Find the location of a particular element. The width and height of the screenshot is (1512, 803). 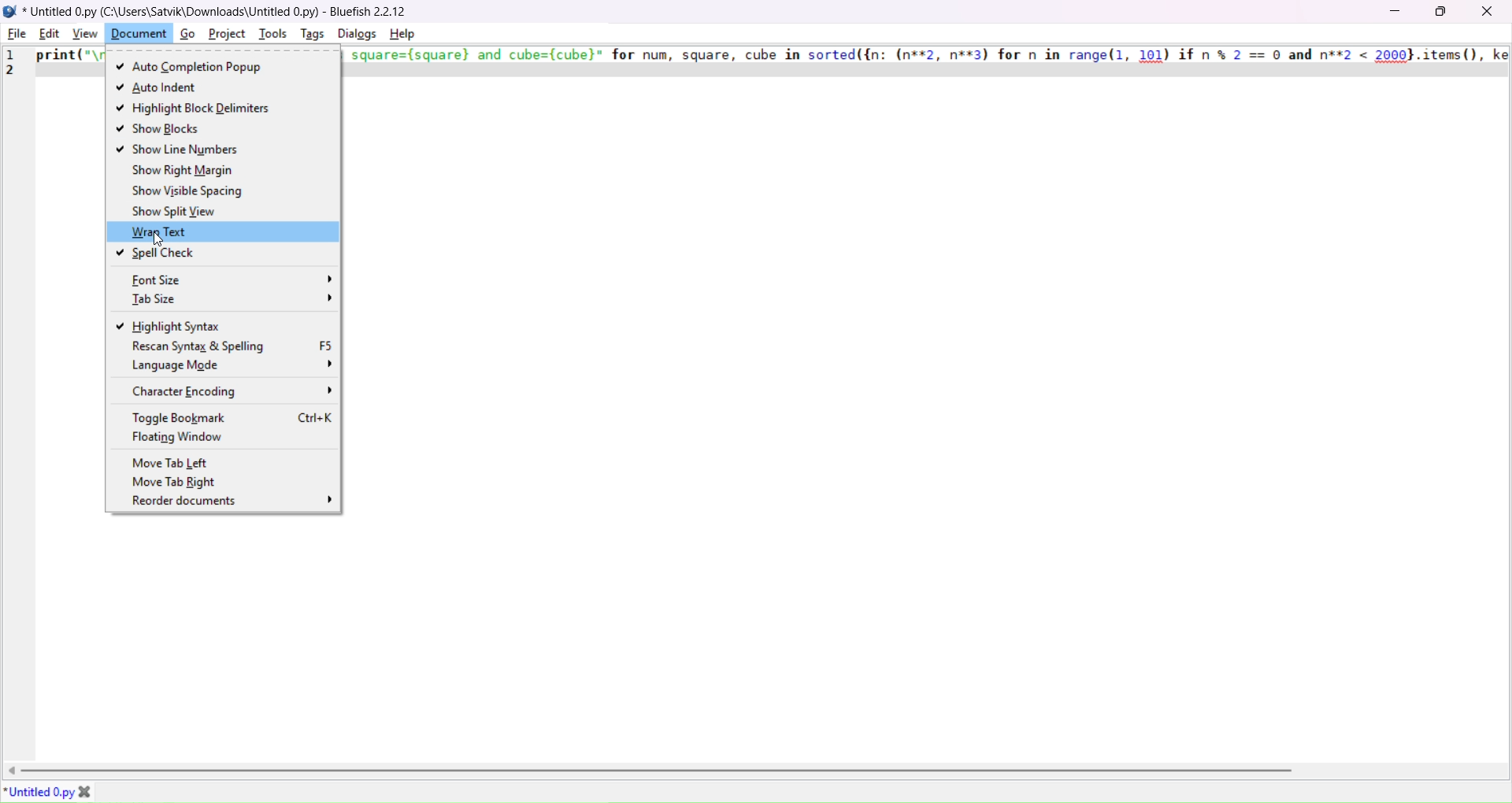

show visible spacing is located at coordinates (187, 192).